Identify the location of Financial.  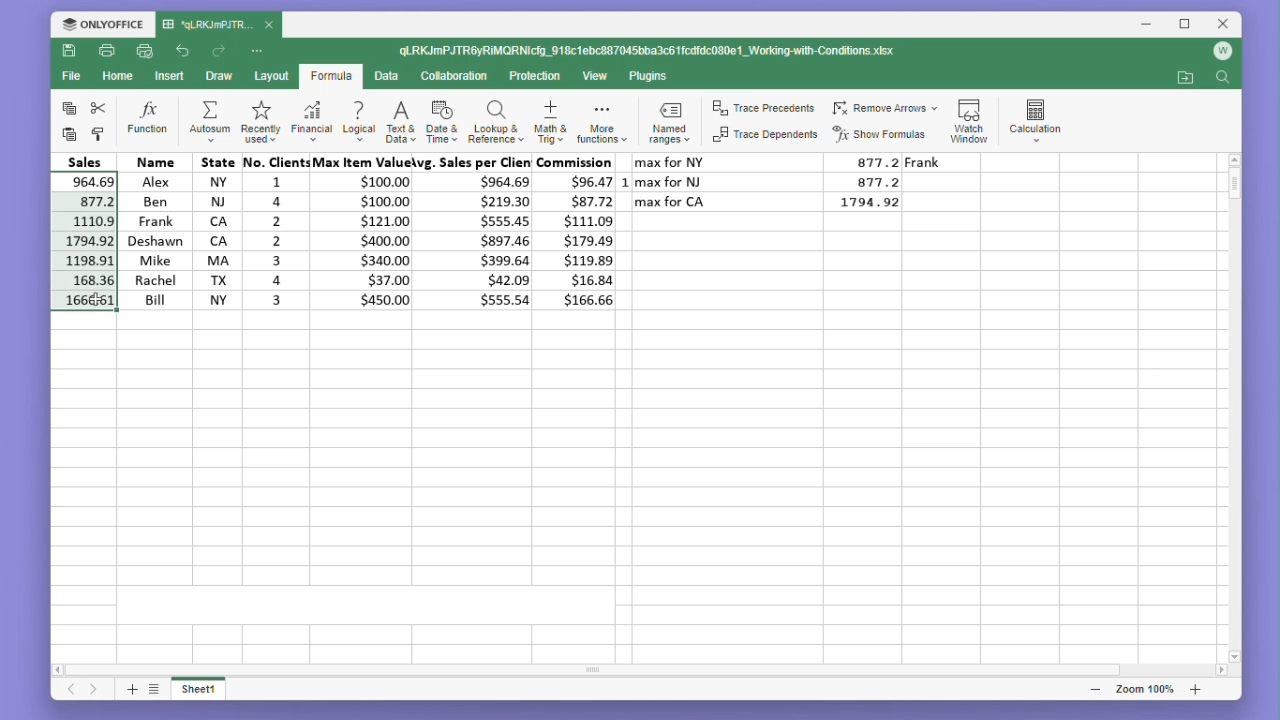
(312, 120).